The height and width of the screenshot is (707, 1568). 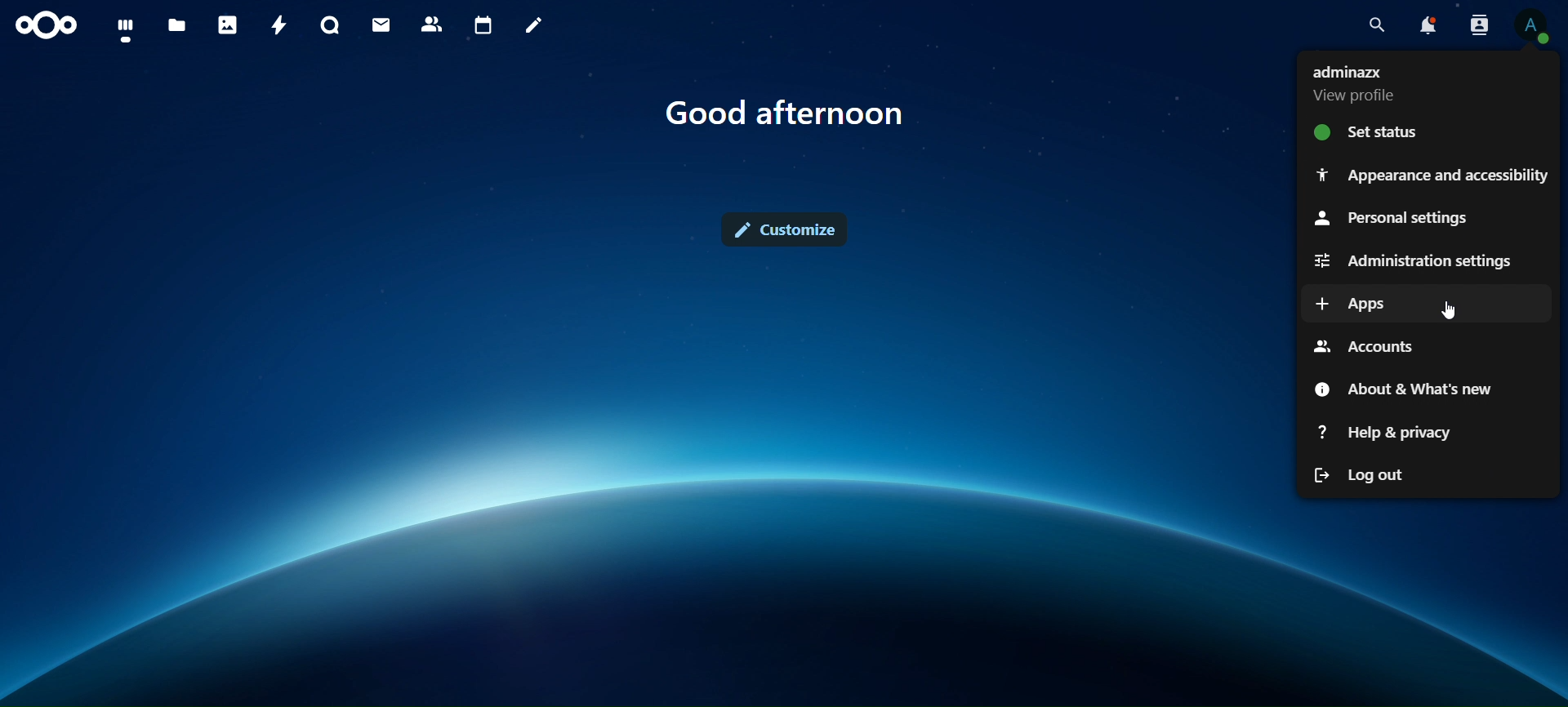 I want to click on mail, so click(x=381, y=23).